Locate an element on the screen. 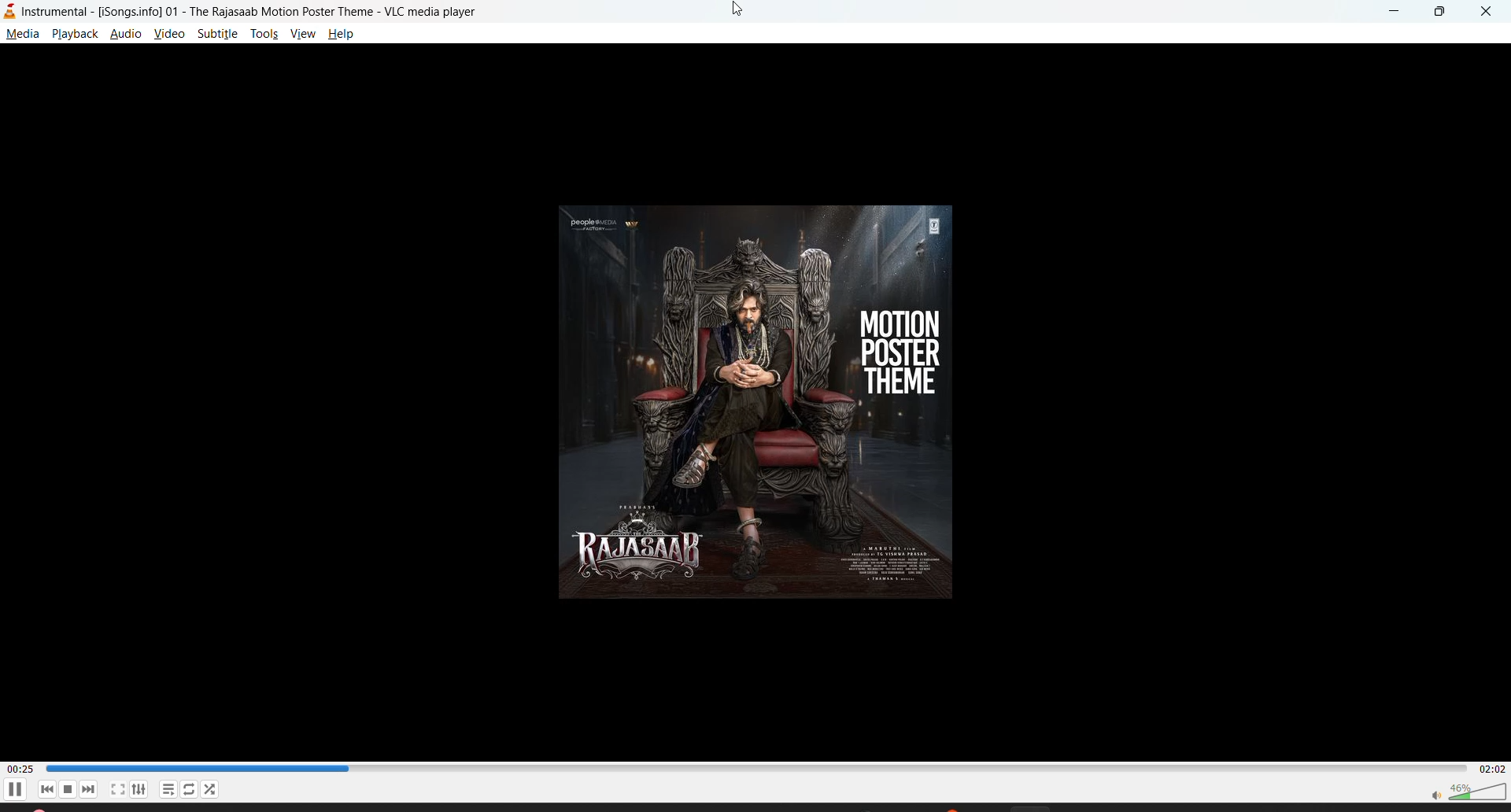  subtitle is located at coordinates (220, 37).